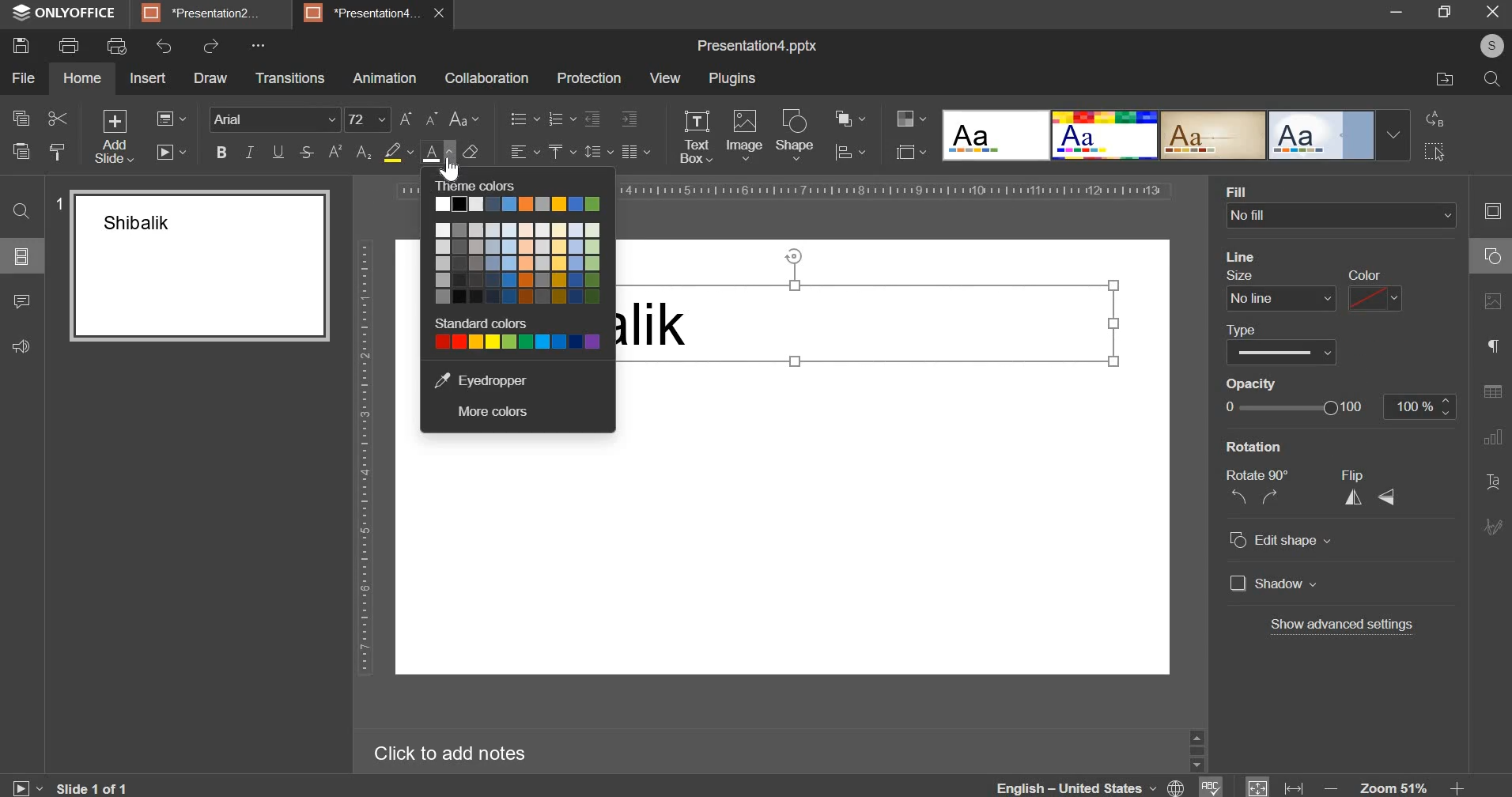 The height and width of the screenshot is (797, 1512). I want to click on align, so click(849, 154).